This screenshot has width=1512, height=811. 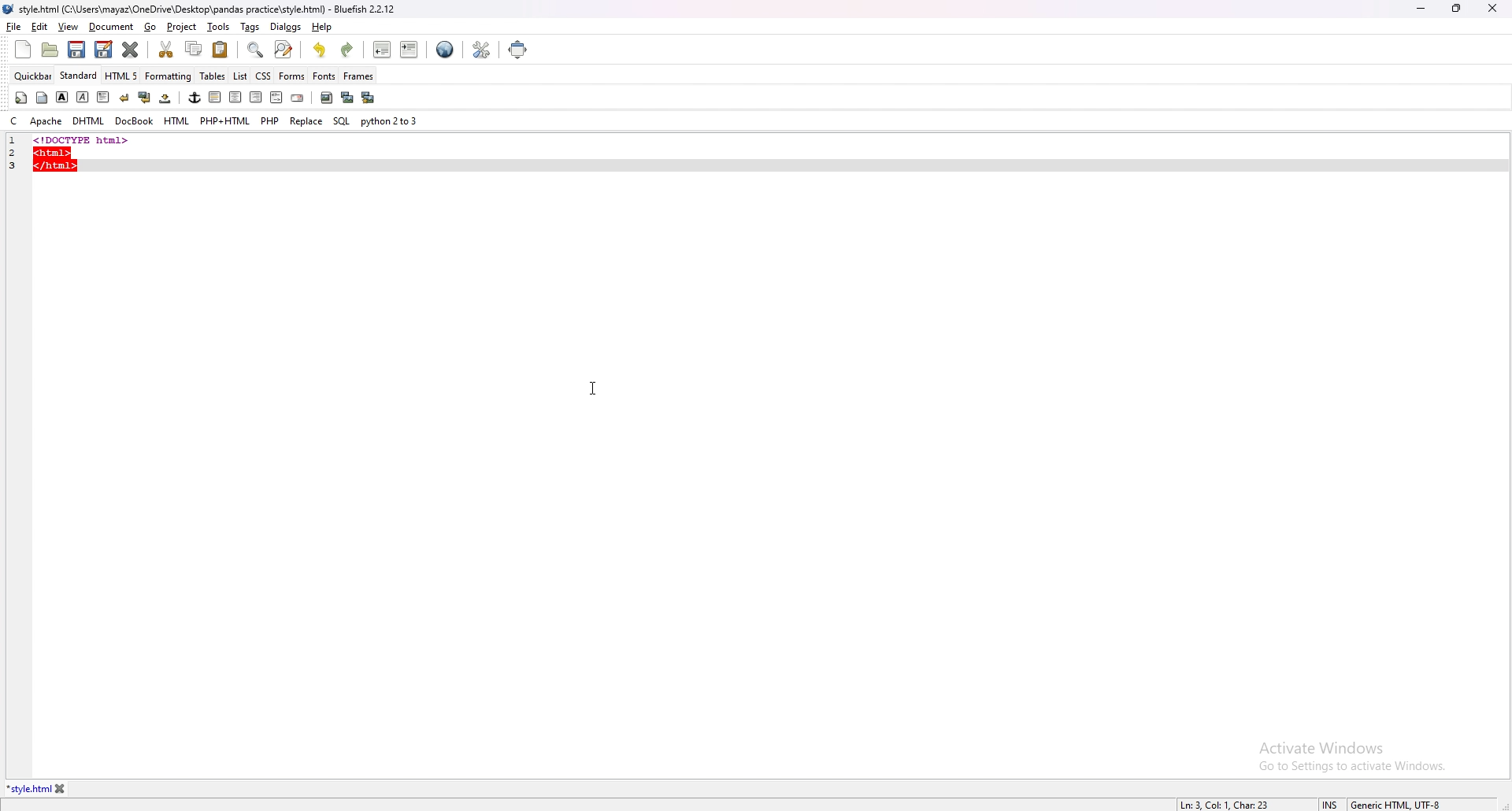 I want to click on save, so click(x=77, y=50).